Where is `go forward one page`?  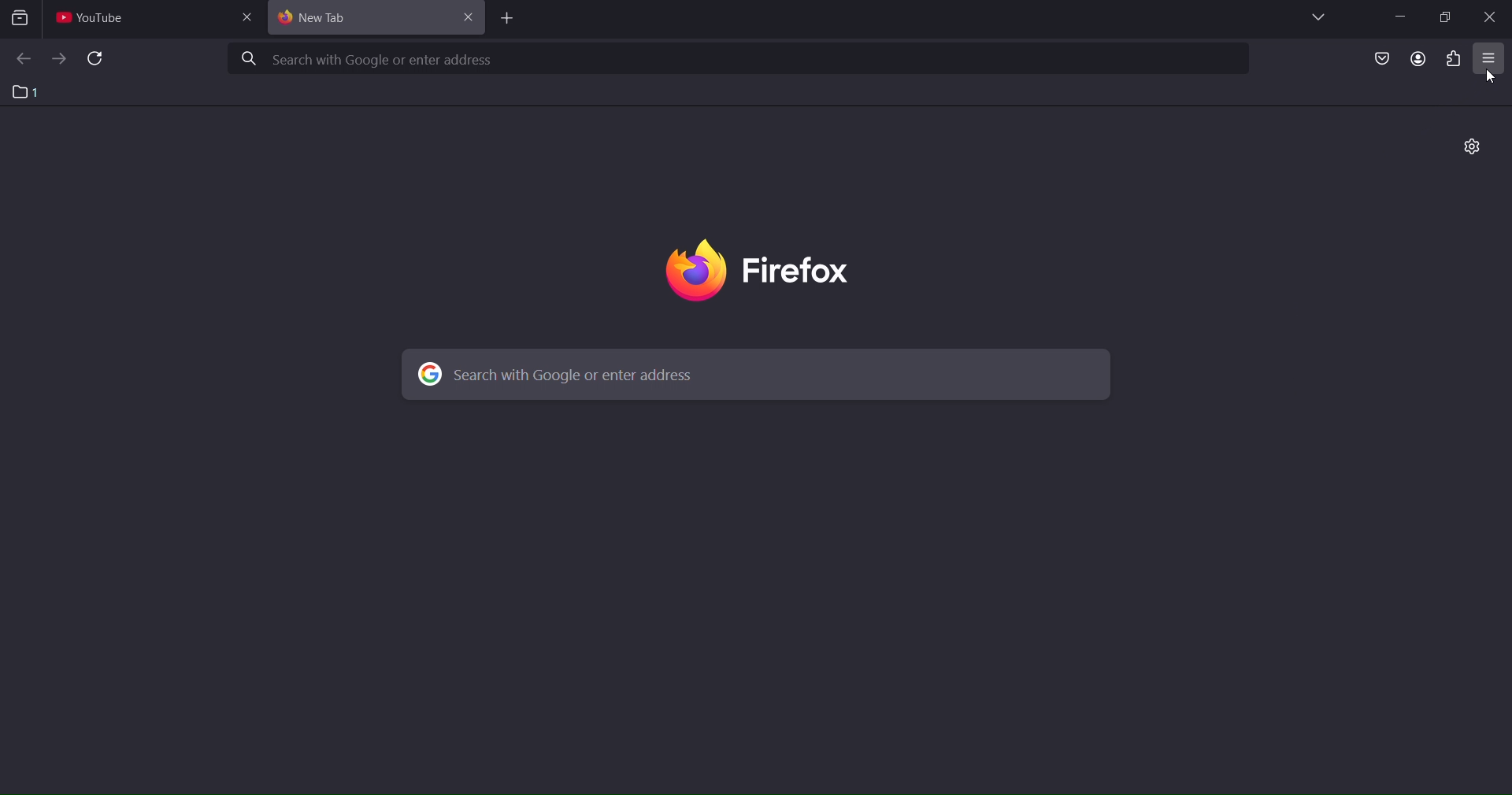
go forward one page is located at coordinates (59, 58).